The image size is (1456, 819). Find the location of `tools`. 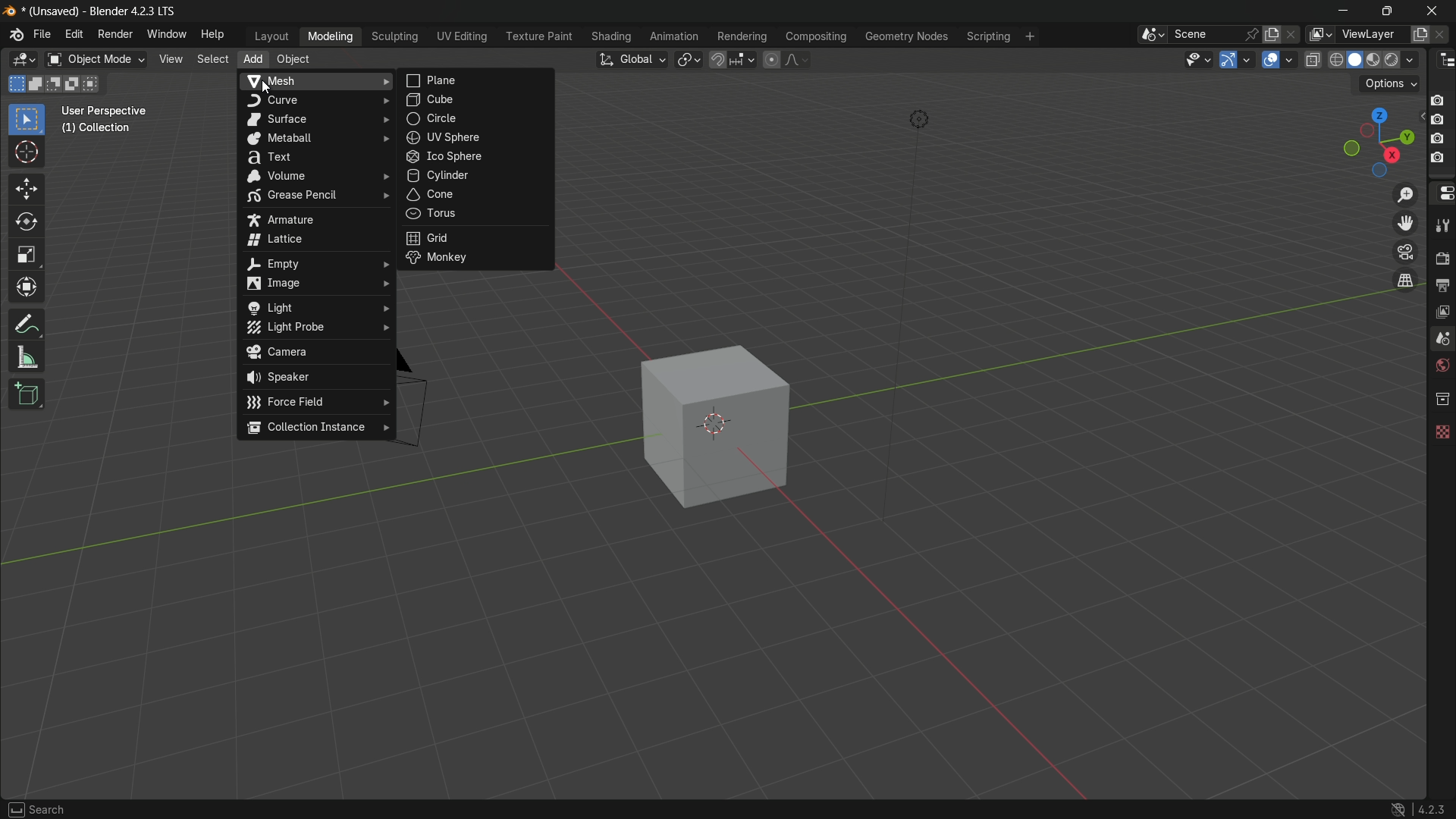

tools is located at coordinates (1442, 223).